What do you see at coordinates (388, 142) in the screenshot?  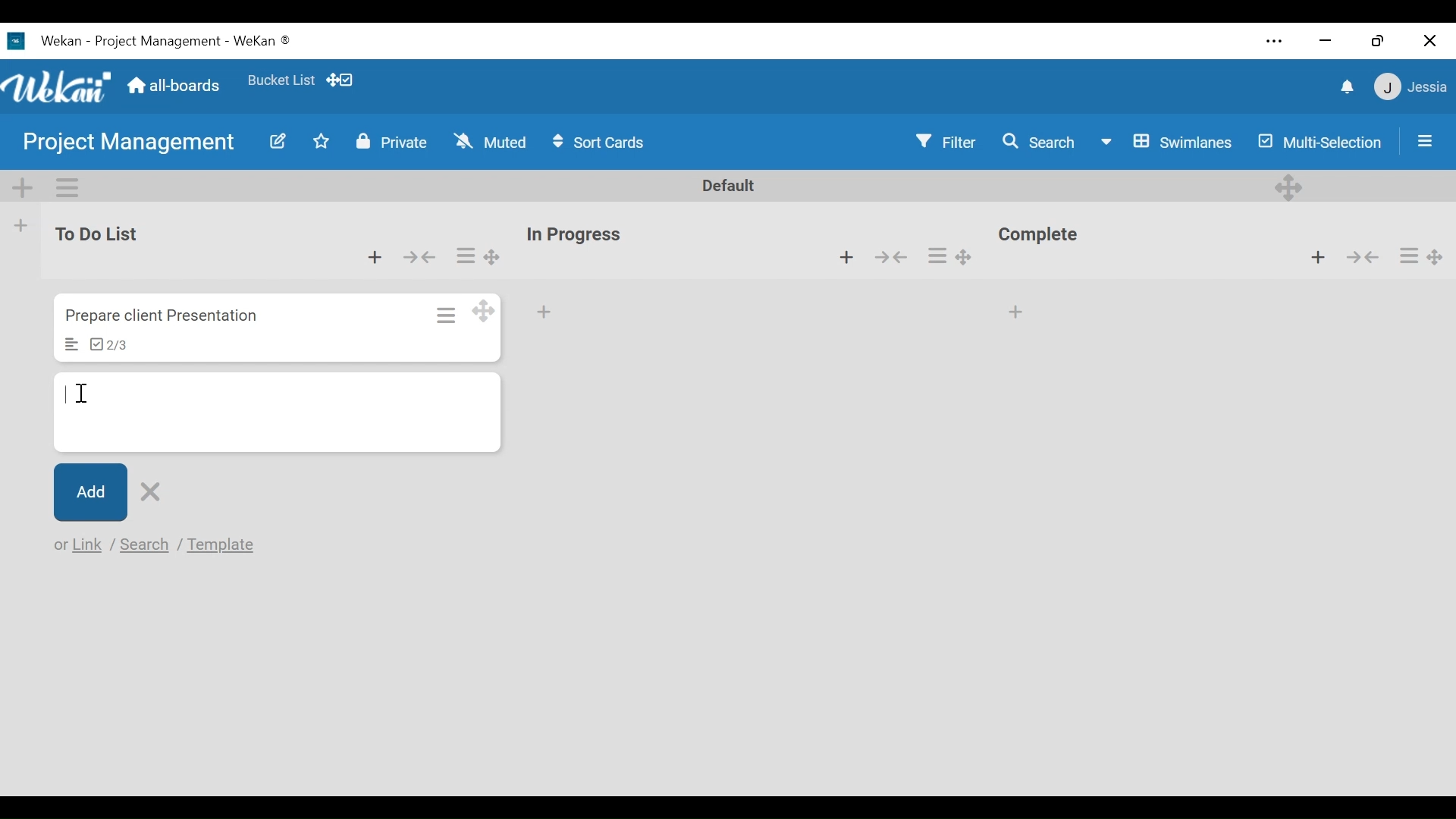 I see `Private` at bounding box center [388, 142].